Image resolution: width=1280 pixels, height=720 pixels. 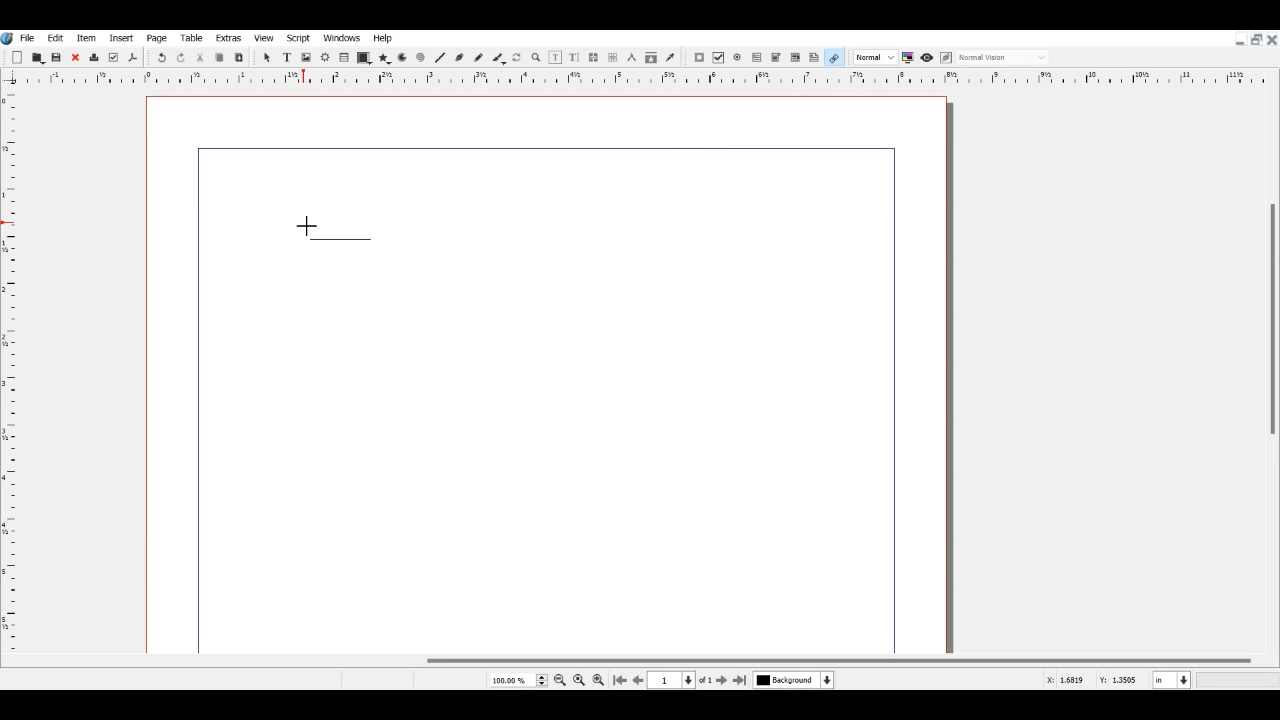 What do you see at coordinates (579, 679) in the screenshot?
I see `Zoom to 100%` at bounding box center [579, 679].